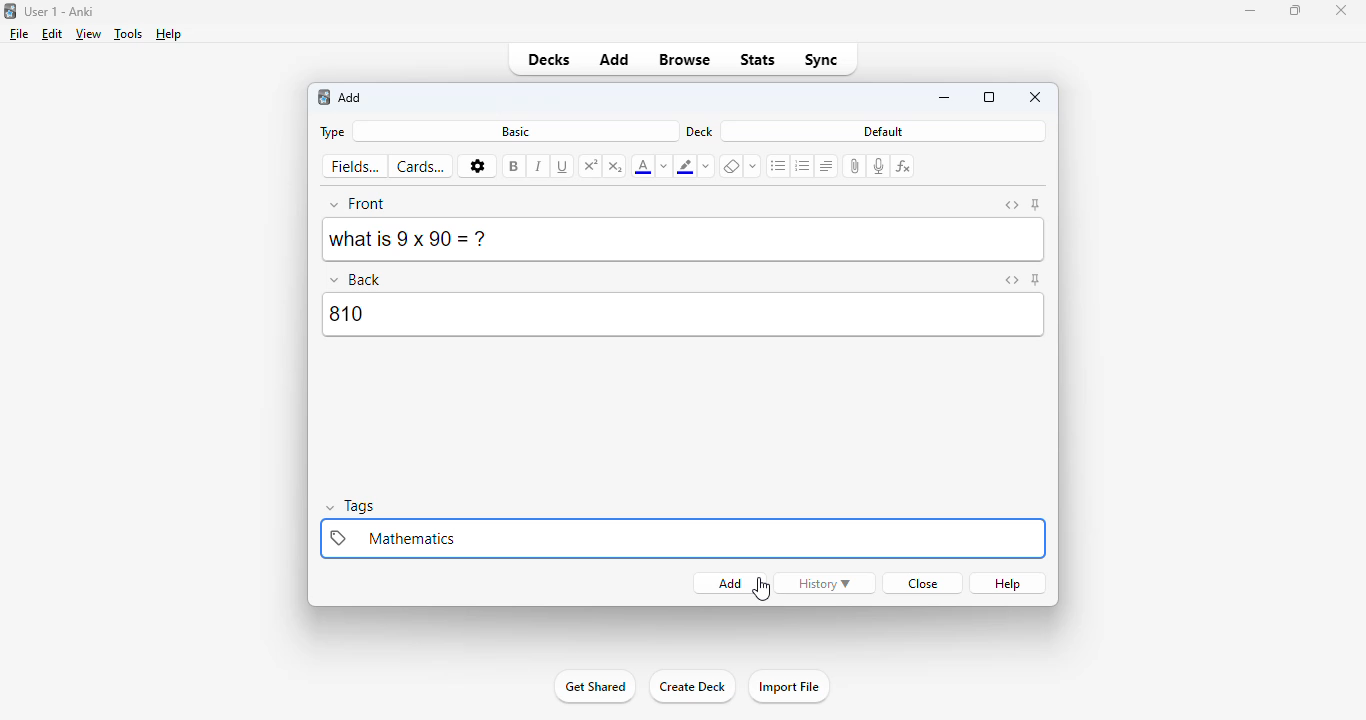 The height and width of the screenshot is (720, 1366). What do you see at coordinates (353, 507) in the screenshot?
I see `tags` at bounding box center [353, 507].